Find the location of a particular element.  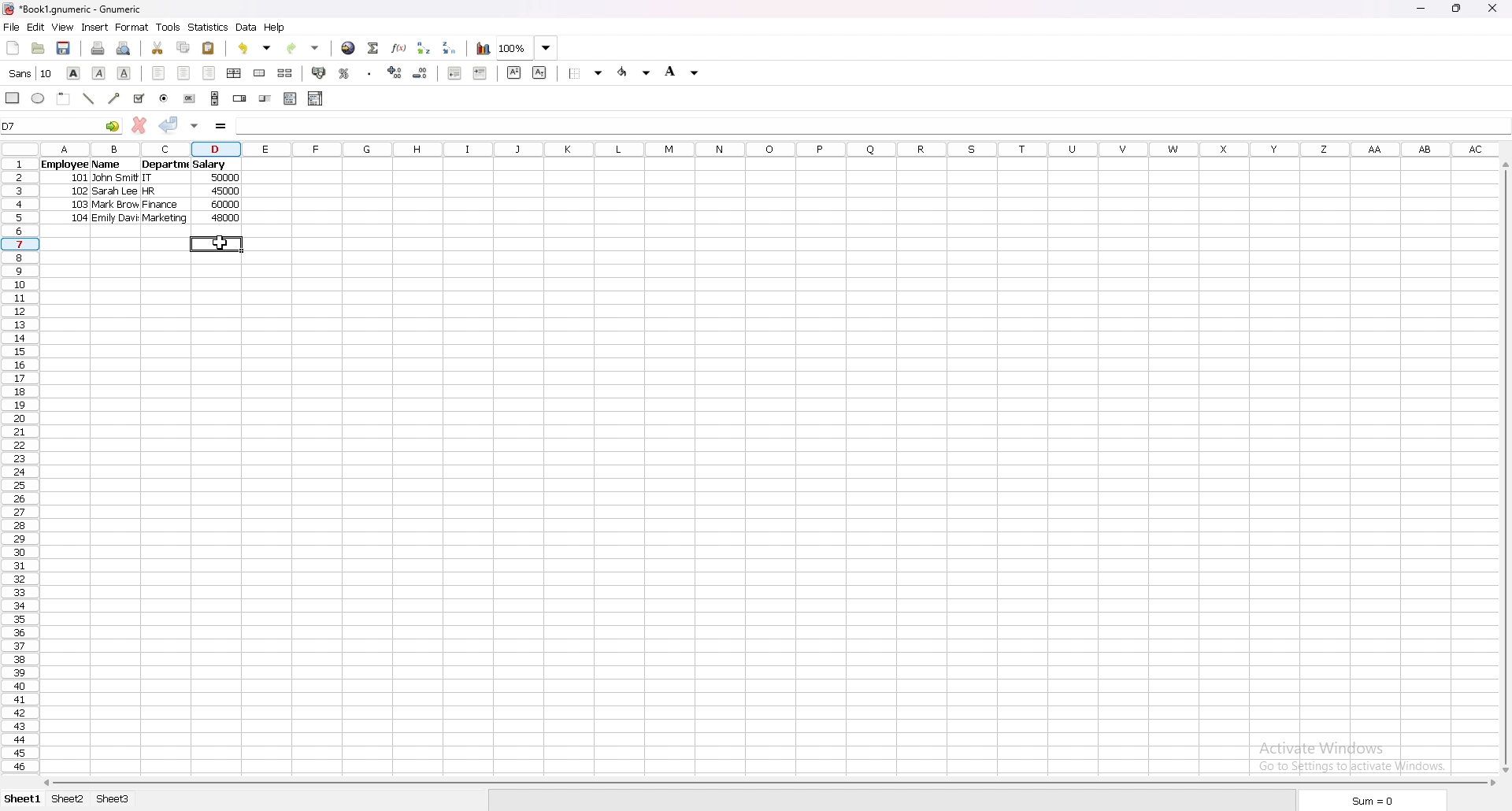

102 is located at coordinates (78, 192).